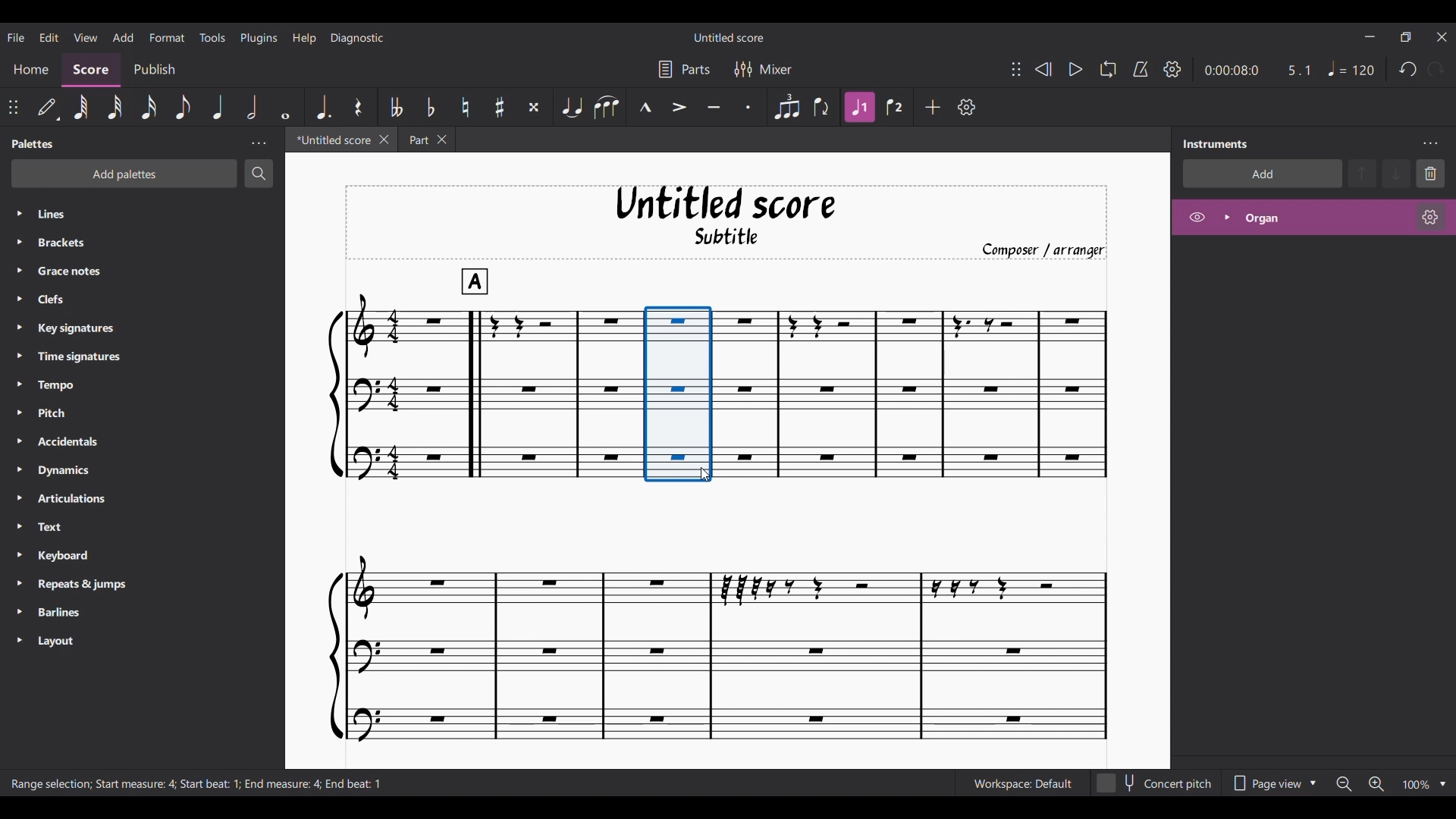 This screenshot has width=1456, height=819. I want to click on Customize tools, so click(966, 106).